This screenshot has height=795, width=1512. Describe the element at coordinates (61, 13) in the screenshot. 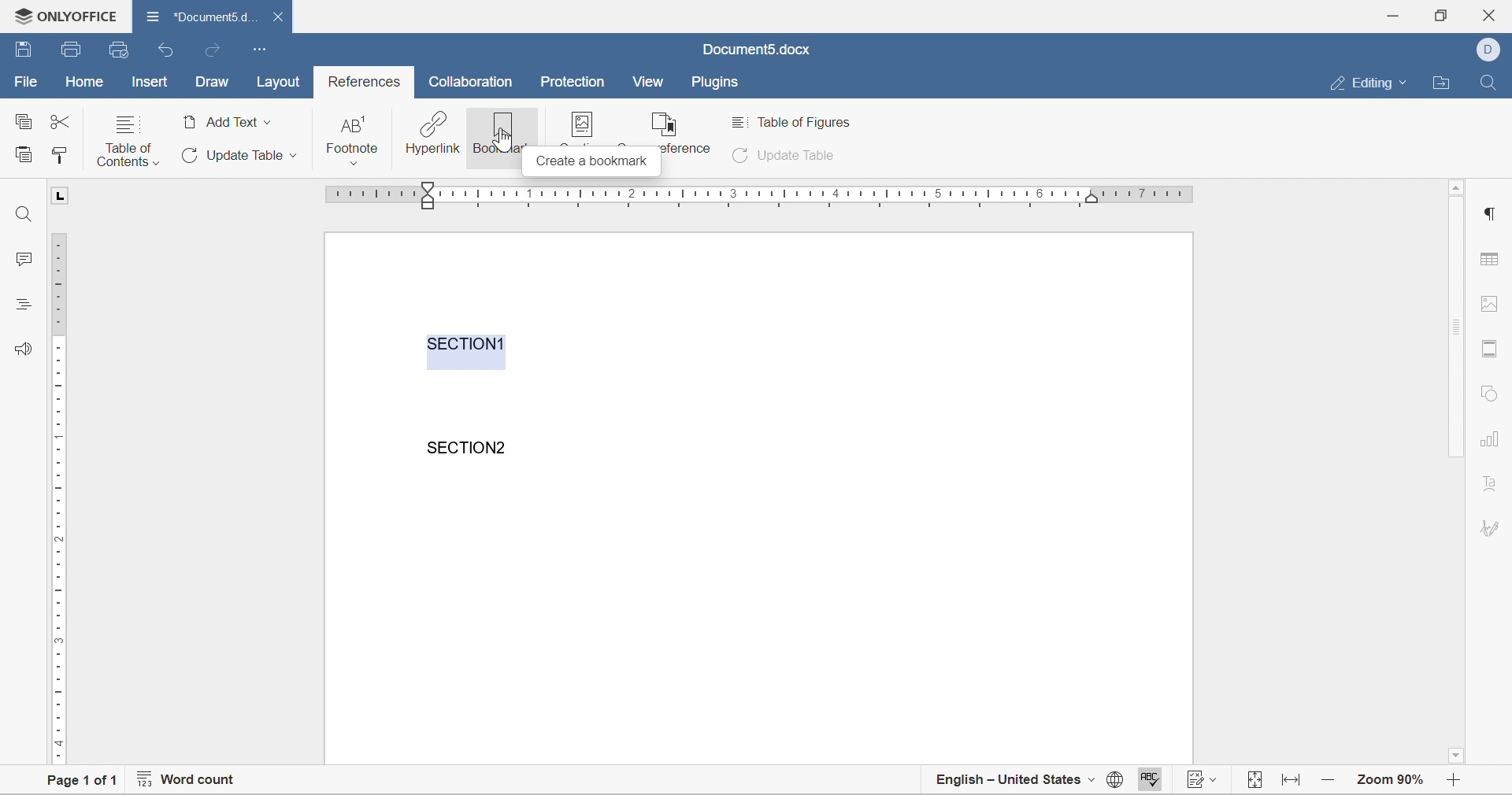

I see `ONLYOFFICE` at that location.